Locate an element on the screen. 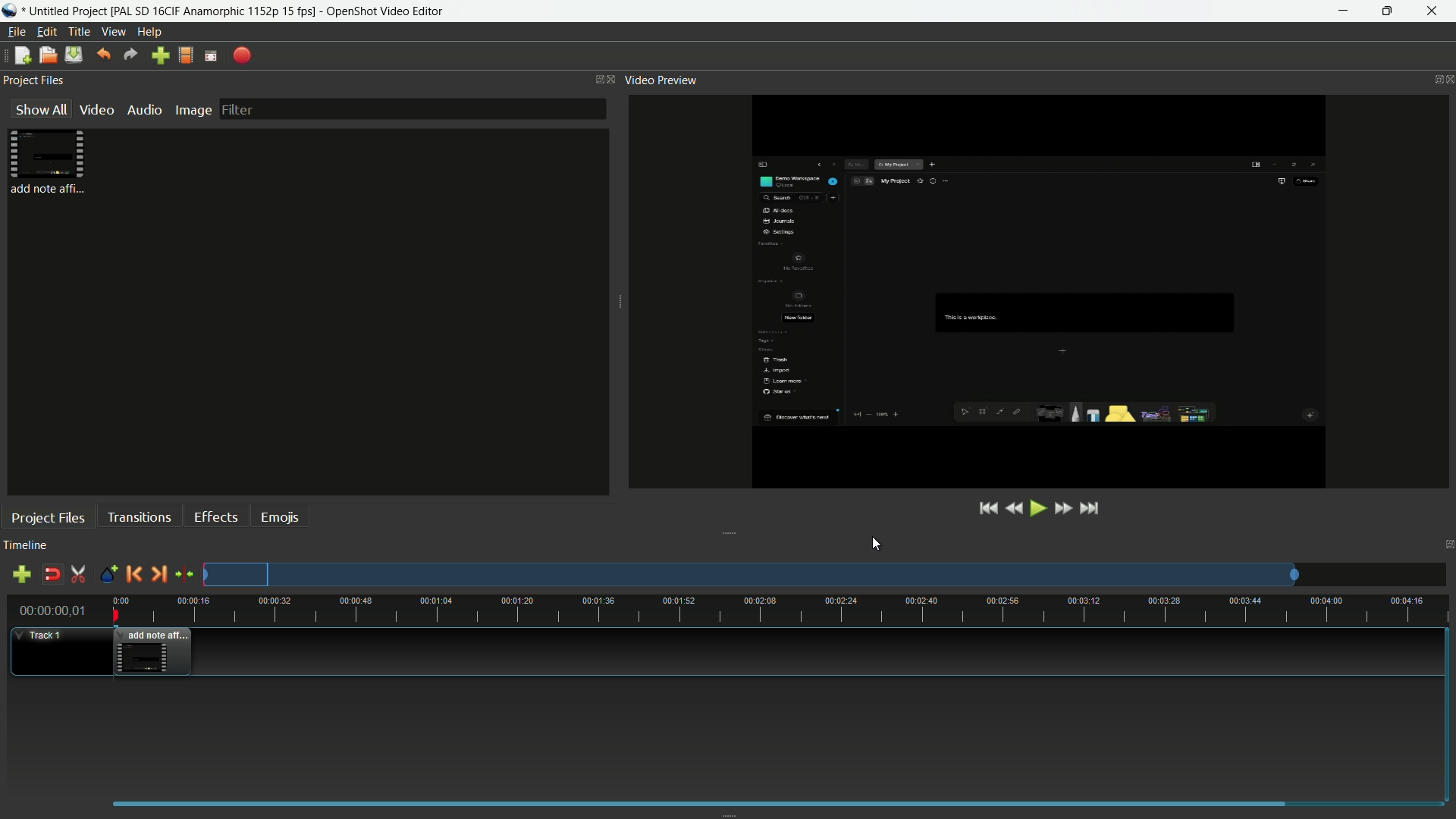 Image resolution: width=1456 pixels, height=819 pixels. add track is located at coordinates (21, 575).